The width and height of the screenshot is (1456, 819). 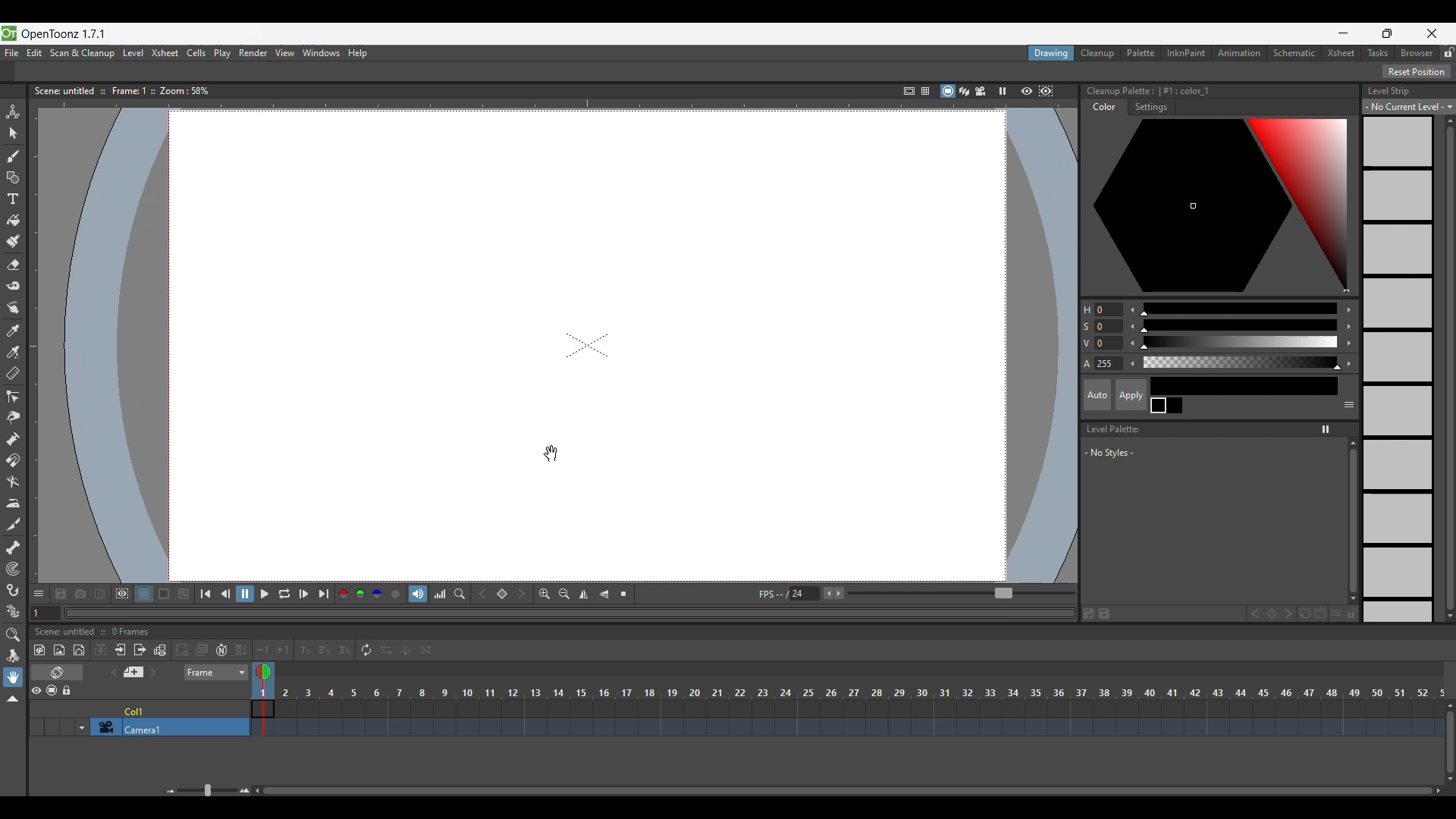 What do you see at coordinates (182, 650) in the screenshot?
I see `Create blank drawing` at bounding box center [182, 650].